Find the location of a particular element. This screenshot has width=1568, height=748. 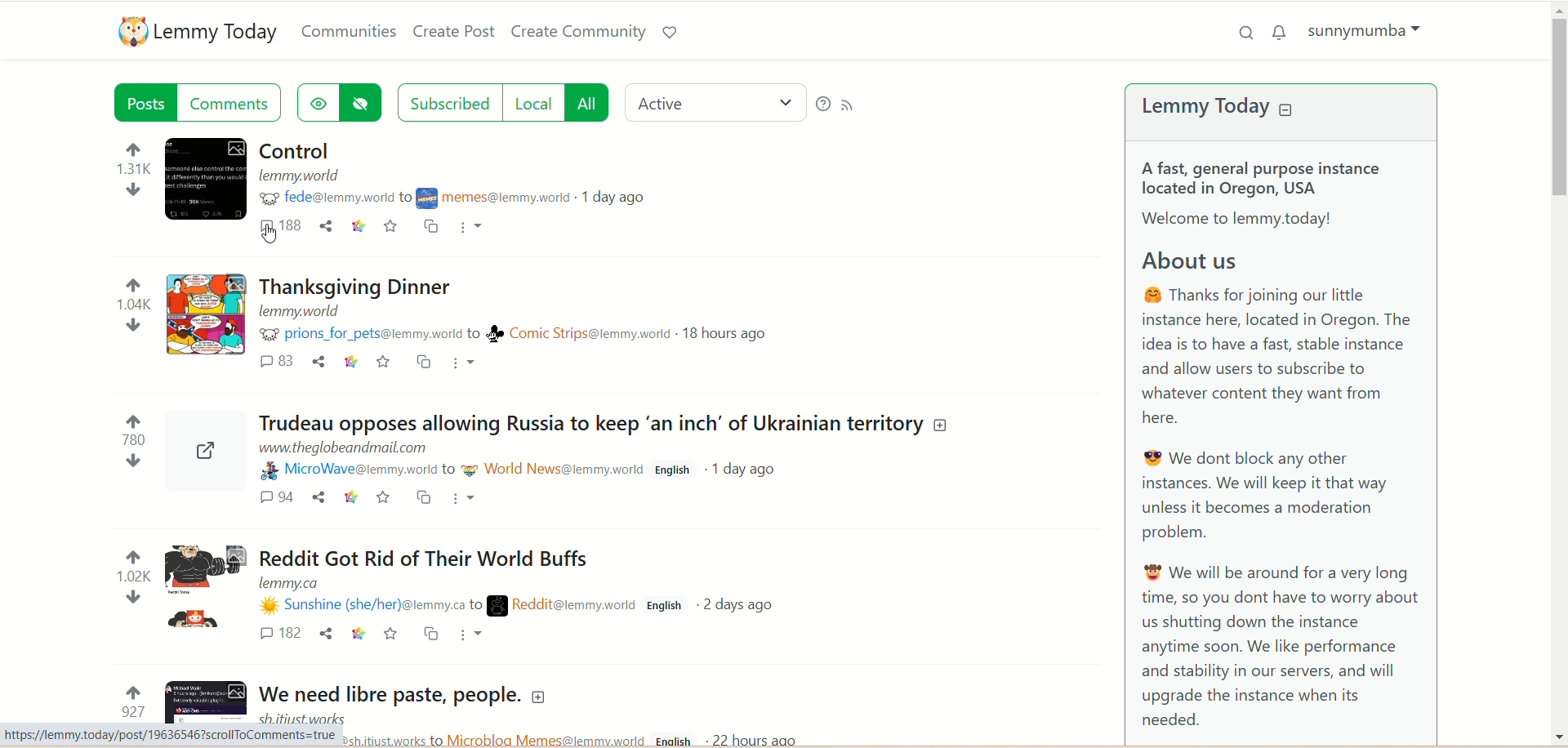

cross post is located at coordinates (434, 630).